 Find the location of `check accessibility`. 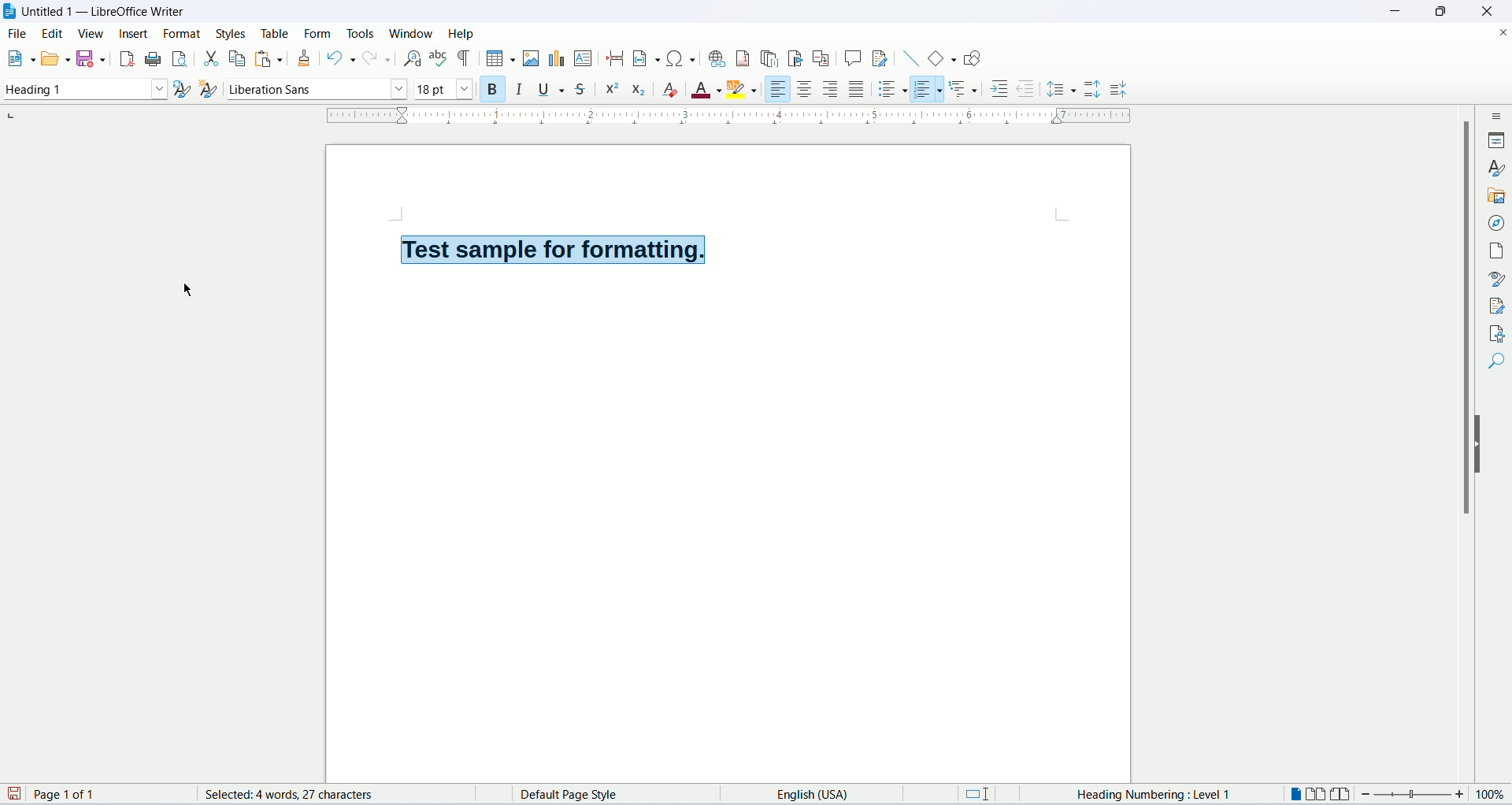

check accessibility is located at coordinates (1495, 333).